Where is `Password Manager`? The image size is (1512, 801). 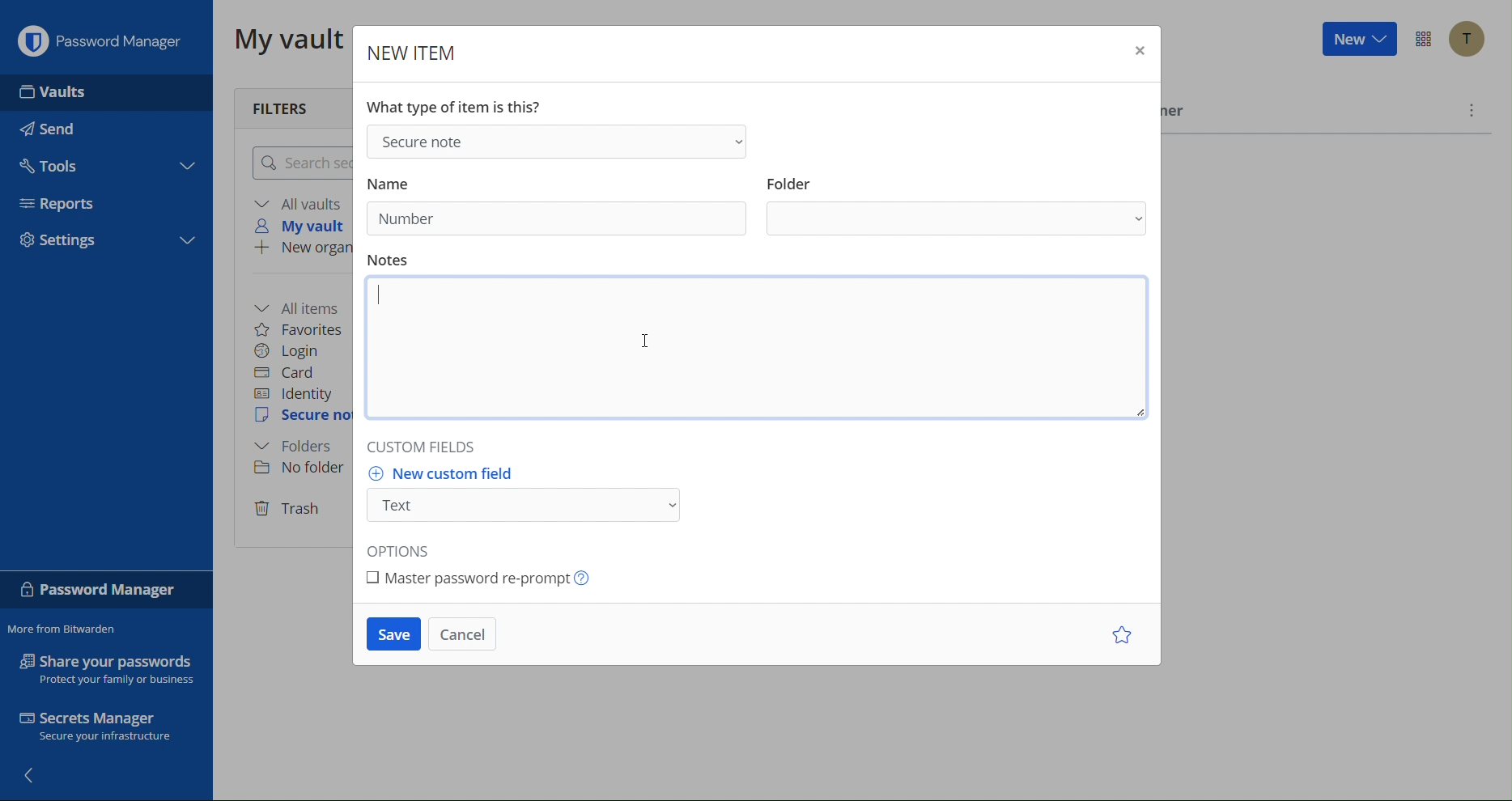 Password Manager is located at coordinates (104, 590).